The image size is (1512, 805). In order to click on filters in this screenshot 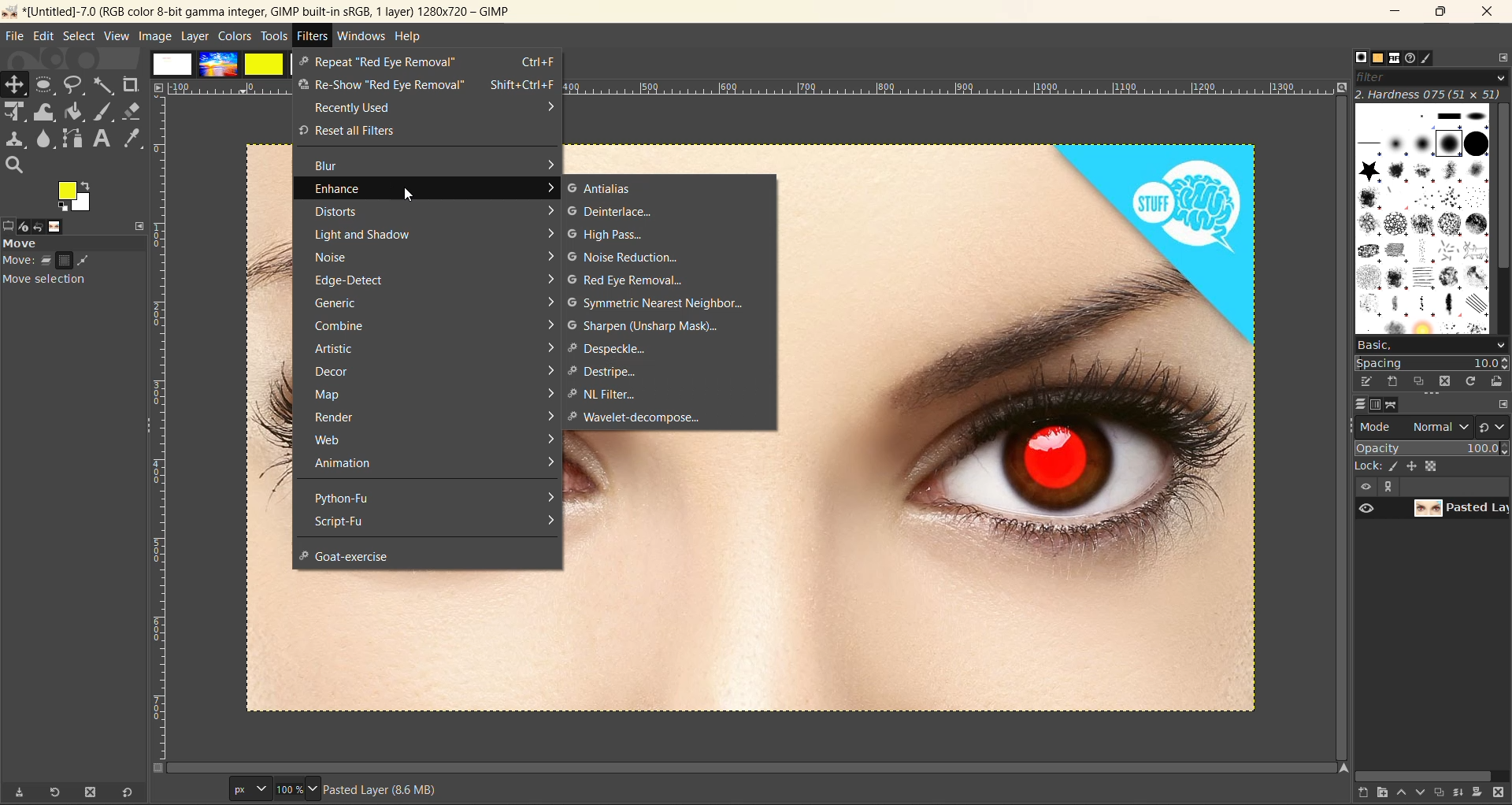, I will do `click(313, 35)`.